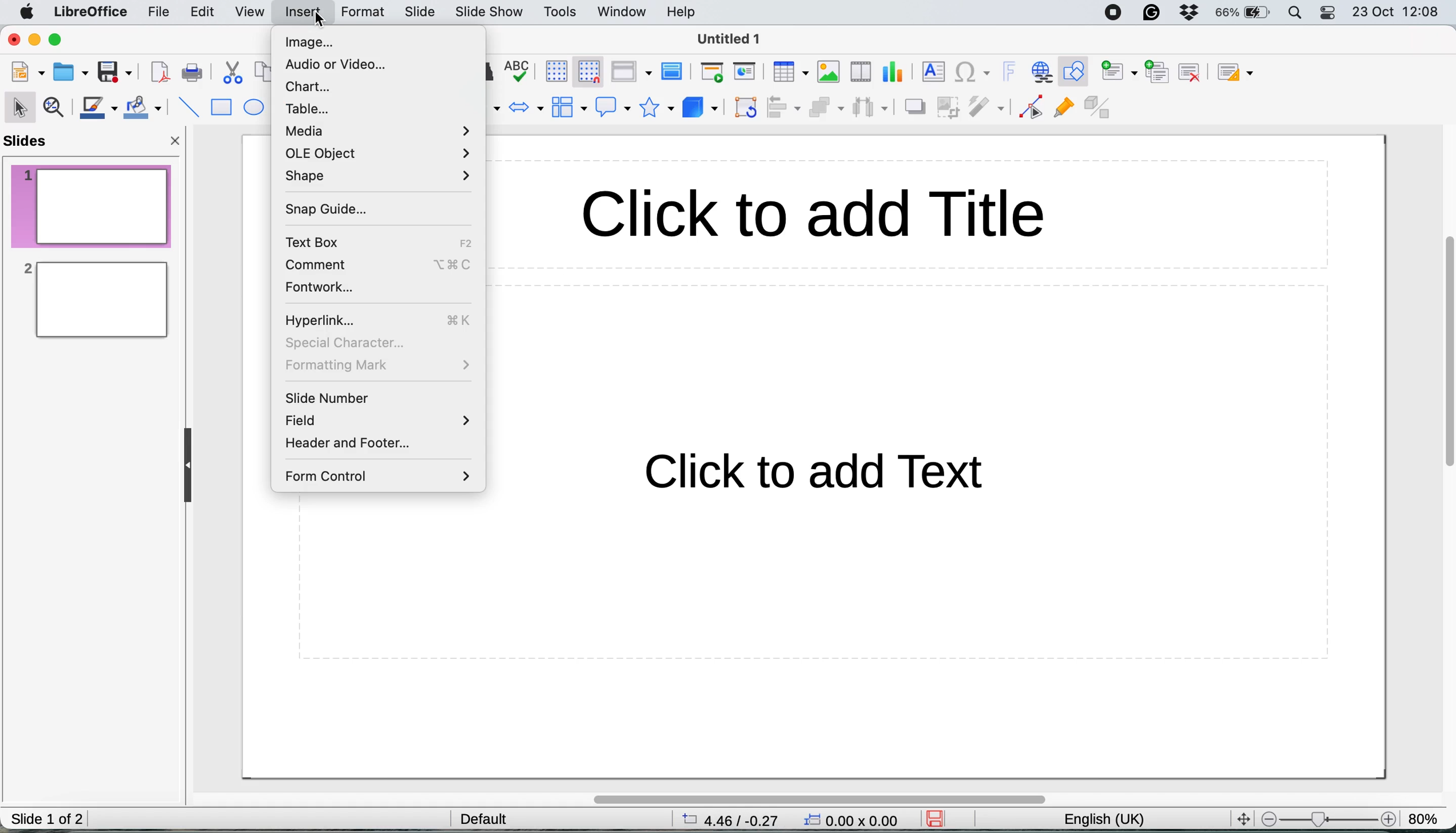 The height and width of the screenshot is (833, 1456). What do you see at coordinates (327, 319) in the screenshot?
I see `hyperlink` at bounding box center [327, 319].